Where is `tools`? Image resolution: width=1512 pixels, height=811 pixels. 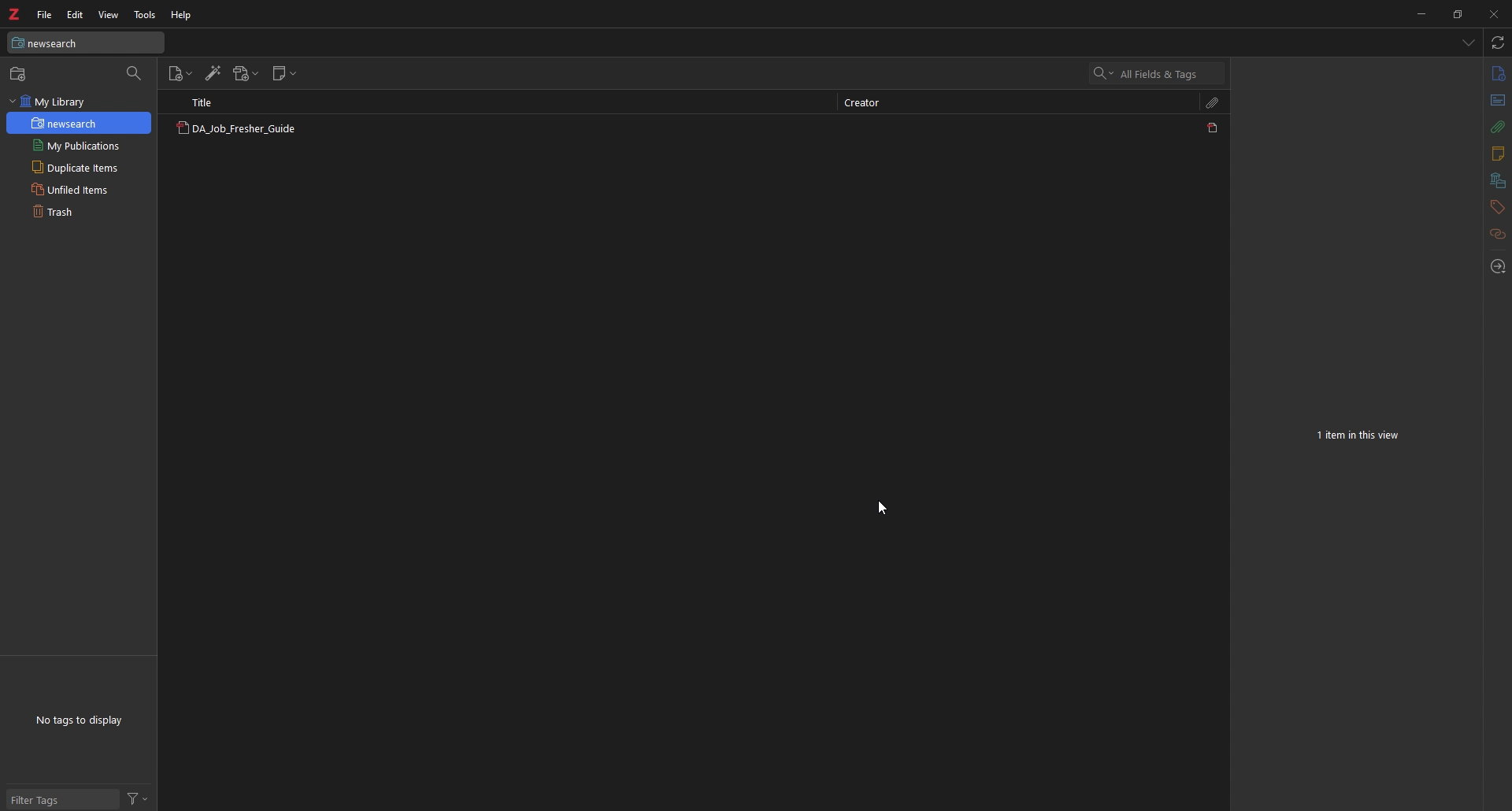 tools is located at coordinates (146, 15).